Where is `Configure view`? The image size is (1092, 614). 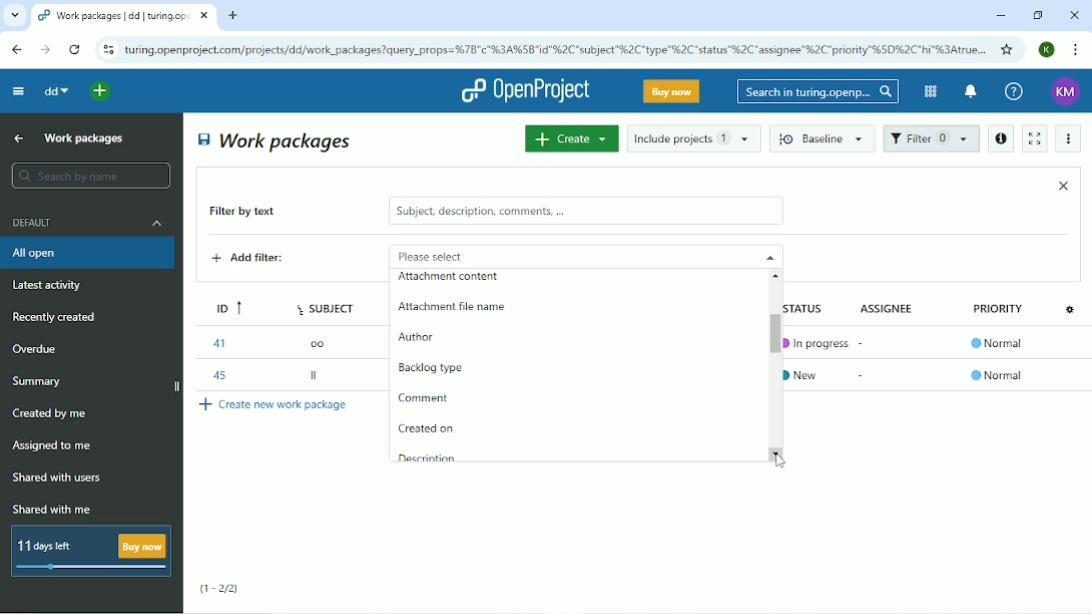
Configure view is located at coordinates (1072, 308).